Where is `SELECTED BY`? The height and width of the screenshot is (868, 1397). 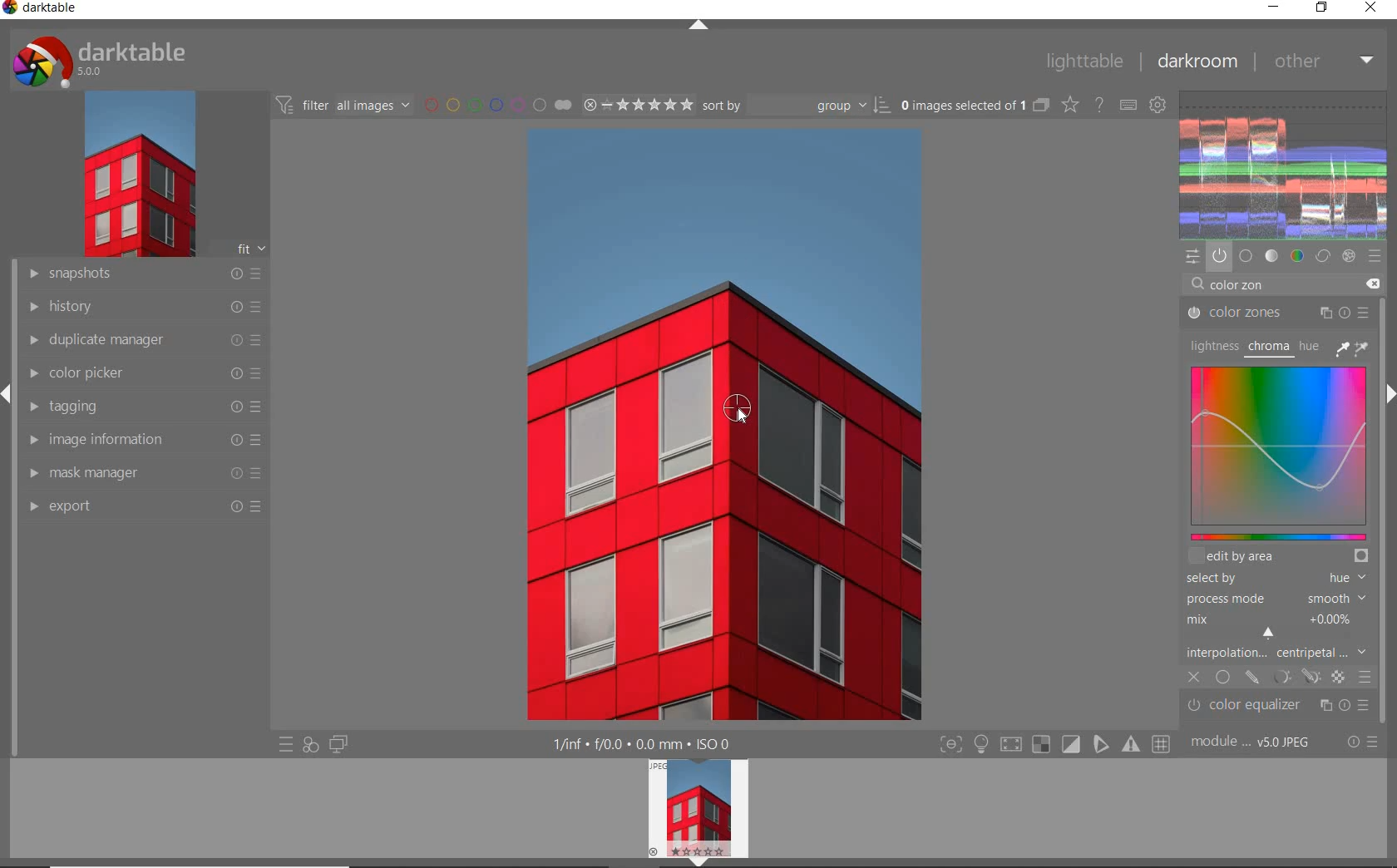 SELECTED BY is located at coordinates (1271, 579).